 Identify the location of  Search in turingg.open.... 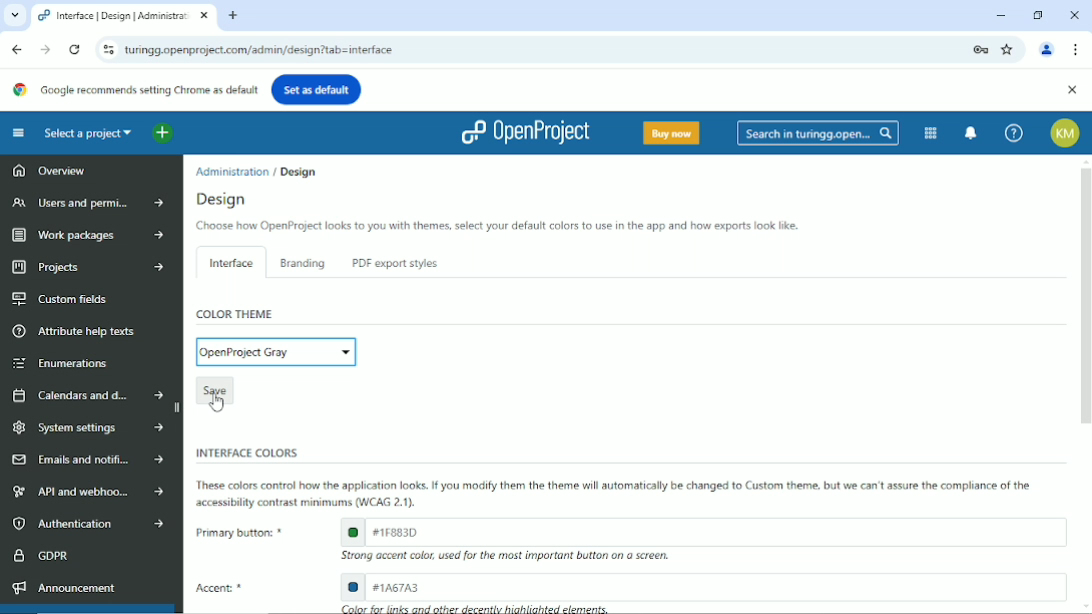
(818, 133).